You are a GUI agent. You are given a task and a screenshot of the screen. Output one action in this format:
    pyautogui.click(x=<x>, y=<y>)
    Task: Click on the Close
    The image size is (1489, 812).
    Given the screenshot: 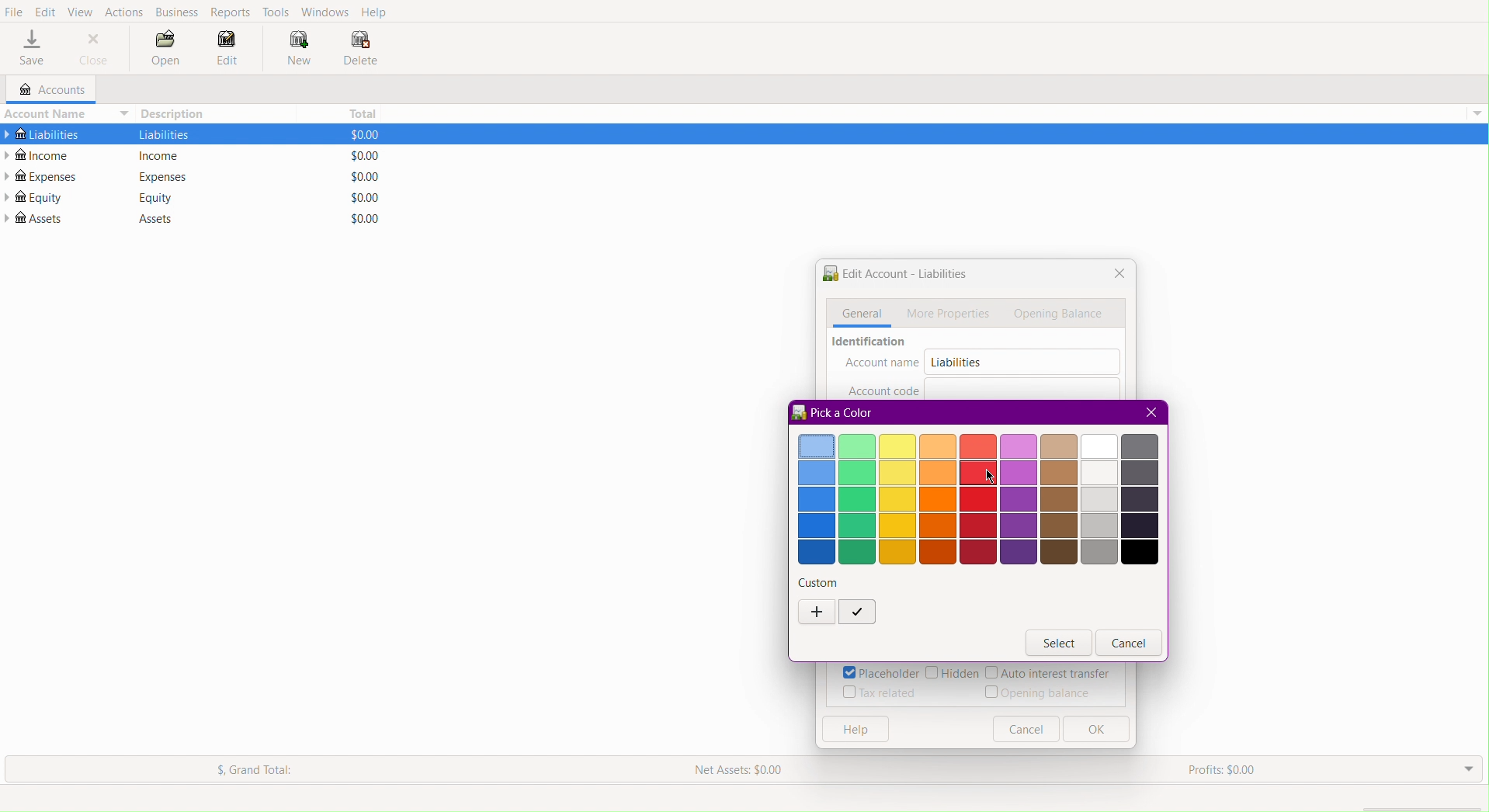 What is the action you would take?
    pyautogui.click(x=1149, y=411)
    